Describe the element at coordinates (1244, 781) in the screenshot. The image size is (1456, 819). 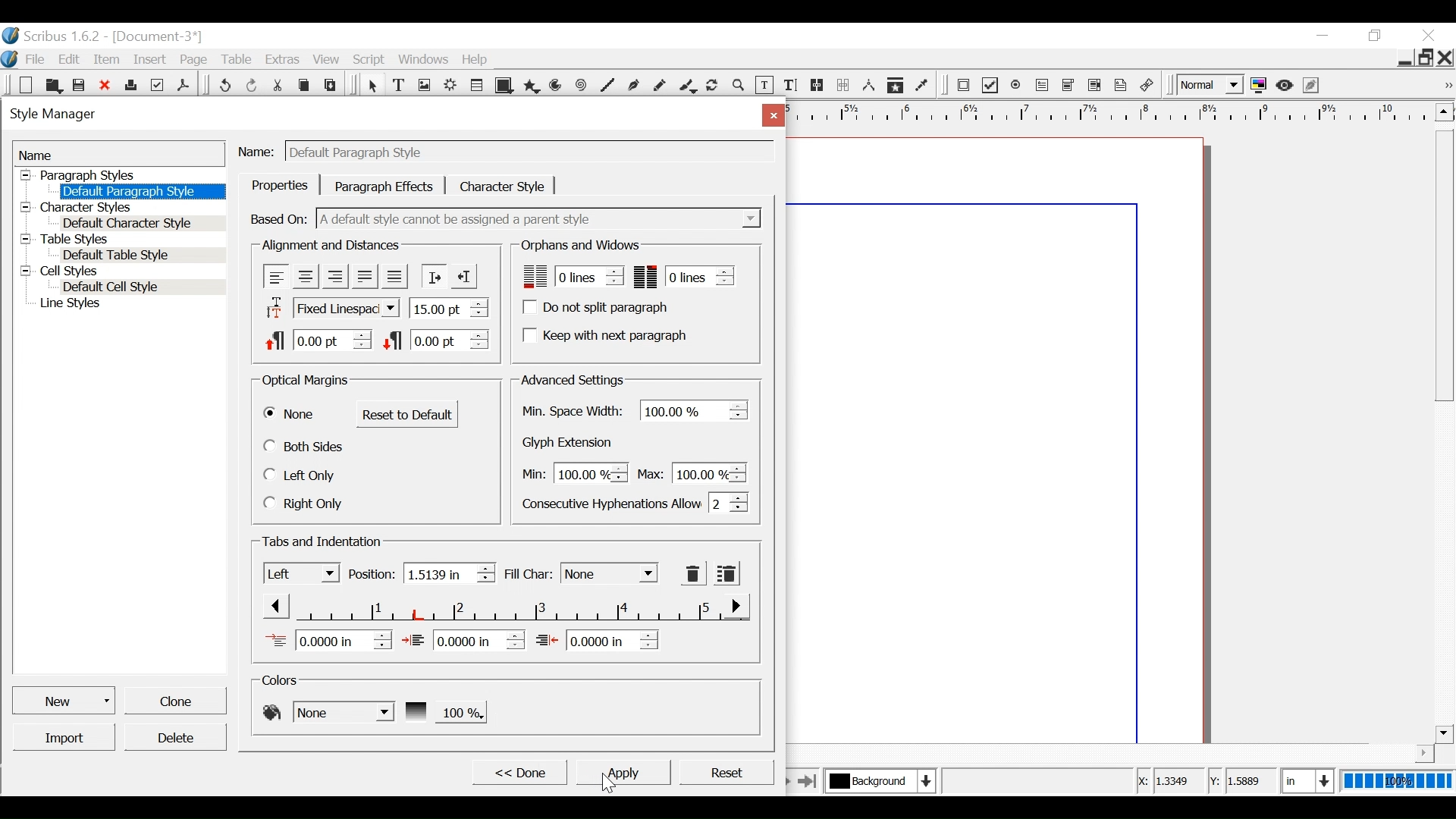
I see `Y Coordinates` at that location.